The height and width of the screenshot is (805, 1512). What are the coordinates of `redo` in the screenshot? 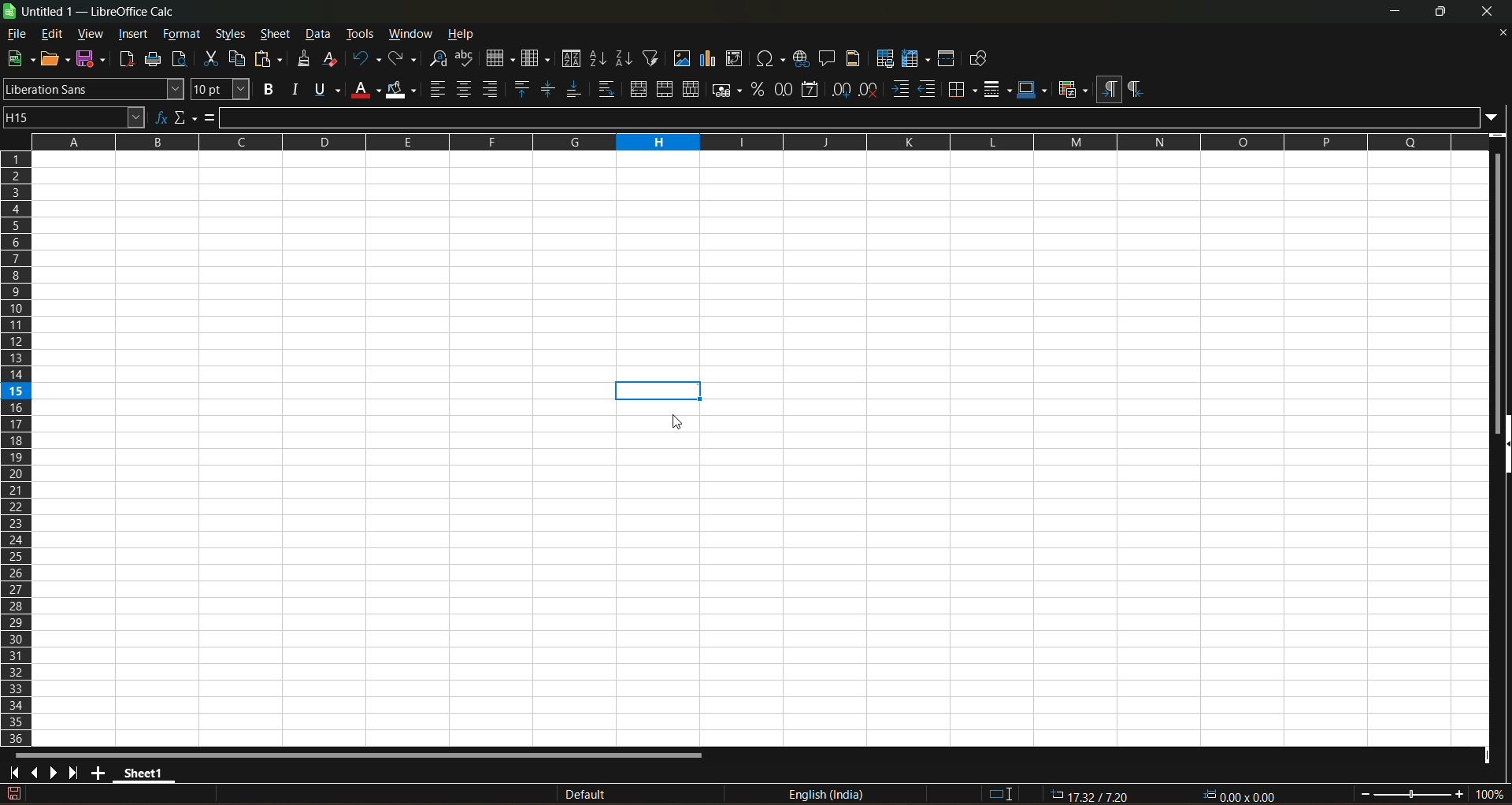 It's located at (404, 60).